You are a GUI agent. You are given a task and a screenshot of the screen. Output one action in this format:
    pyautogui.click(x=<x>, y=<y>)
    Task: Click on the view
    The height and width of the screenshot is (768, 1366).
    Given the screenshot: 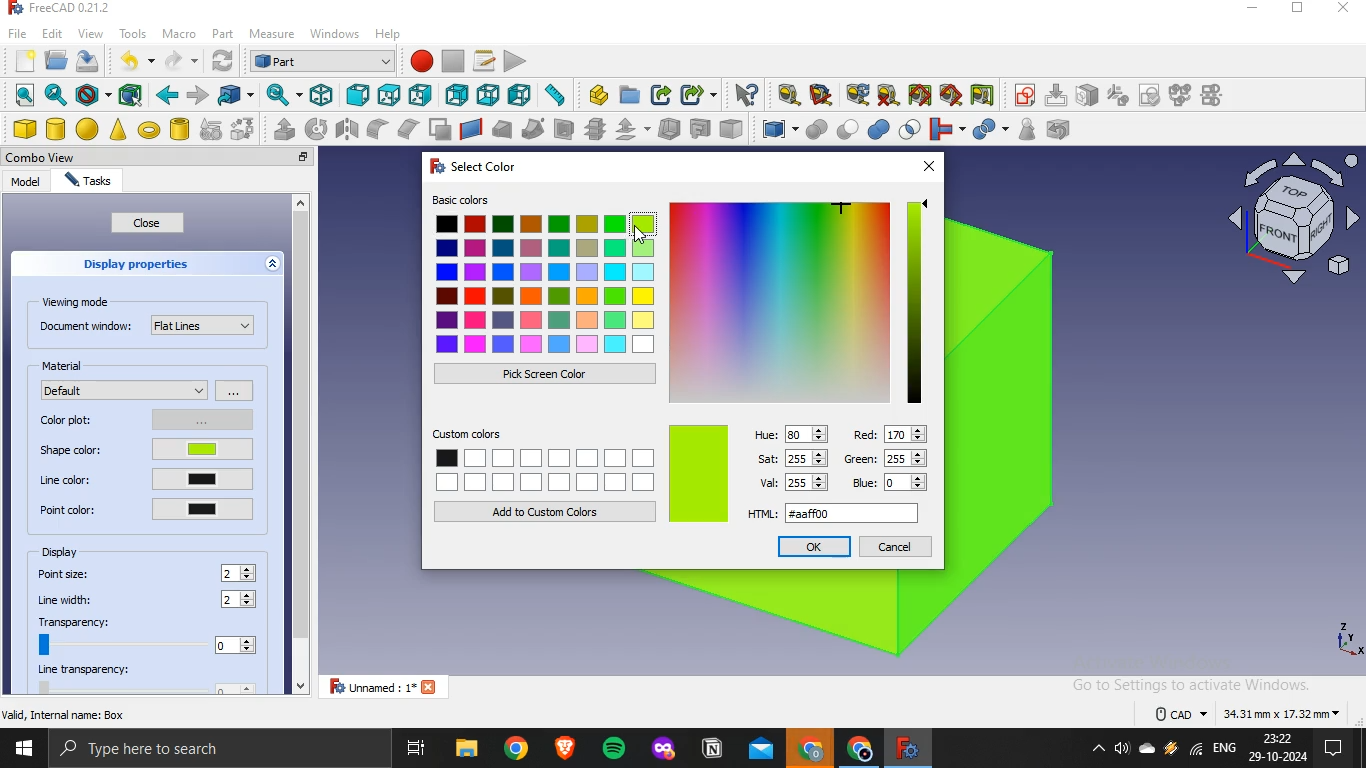 What is the action you would take?
    pyautogui.click(x=90, y=33)
    